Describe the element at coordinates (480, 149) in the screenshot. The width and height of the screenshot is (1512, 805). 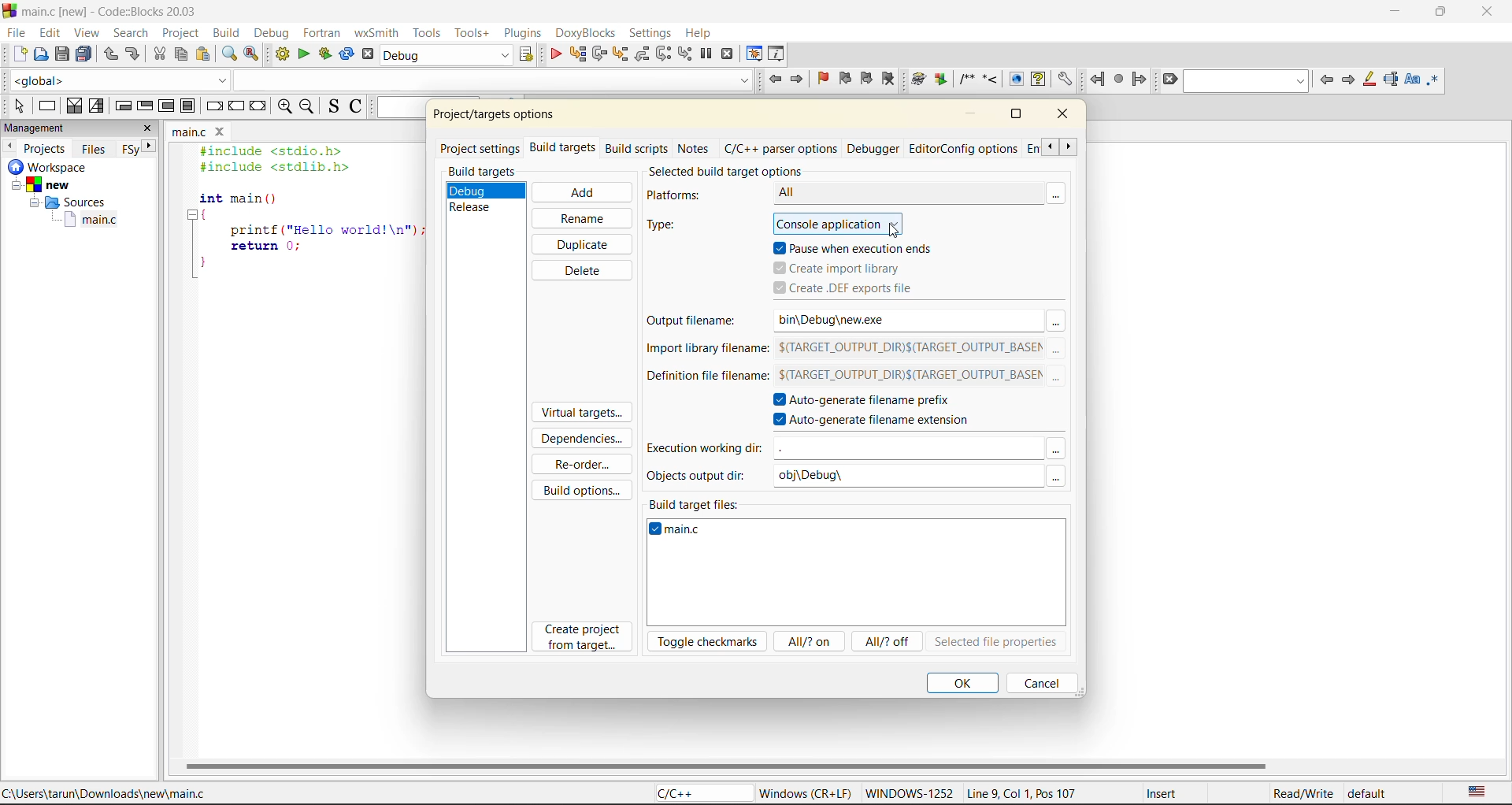
I see `project settings` at that location.